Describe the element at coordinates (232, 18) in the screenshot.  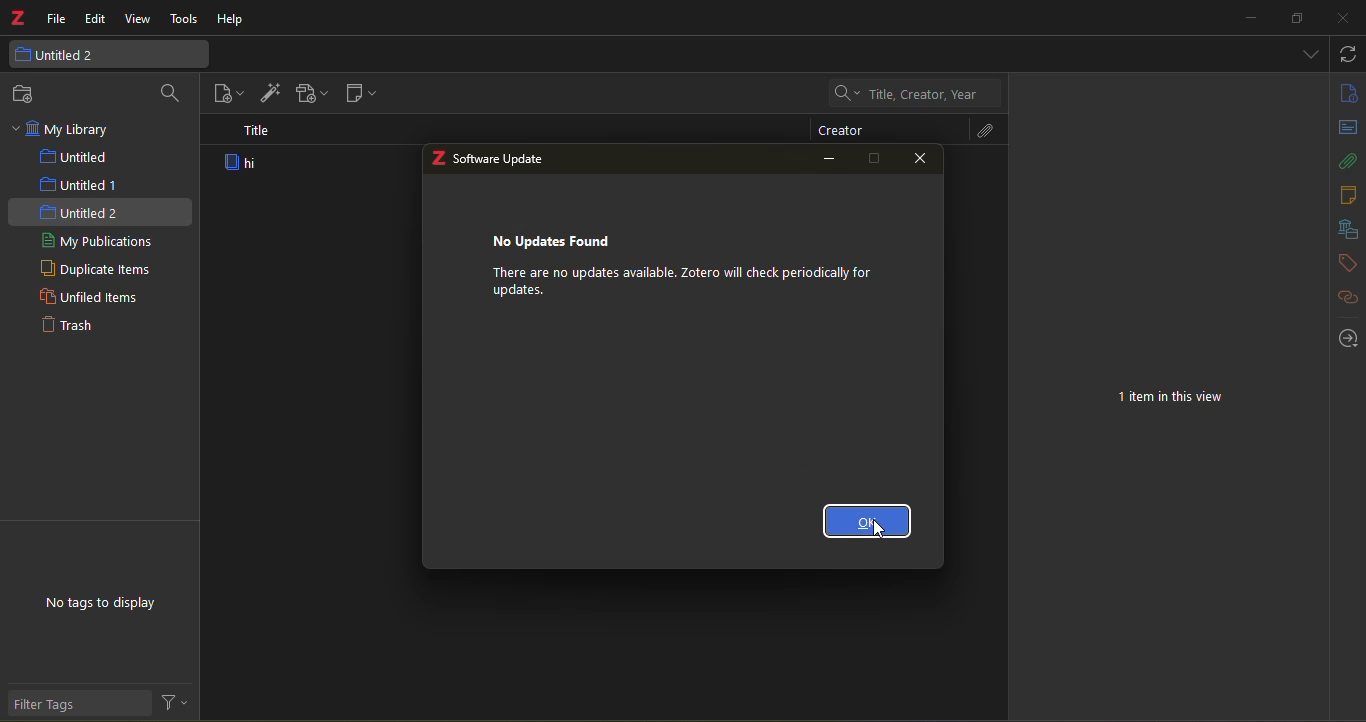
I see `help` at that location.